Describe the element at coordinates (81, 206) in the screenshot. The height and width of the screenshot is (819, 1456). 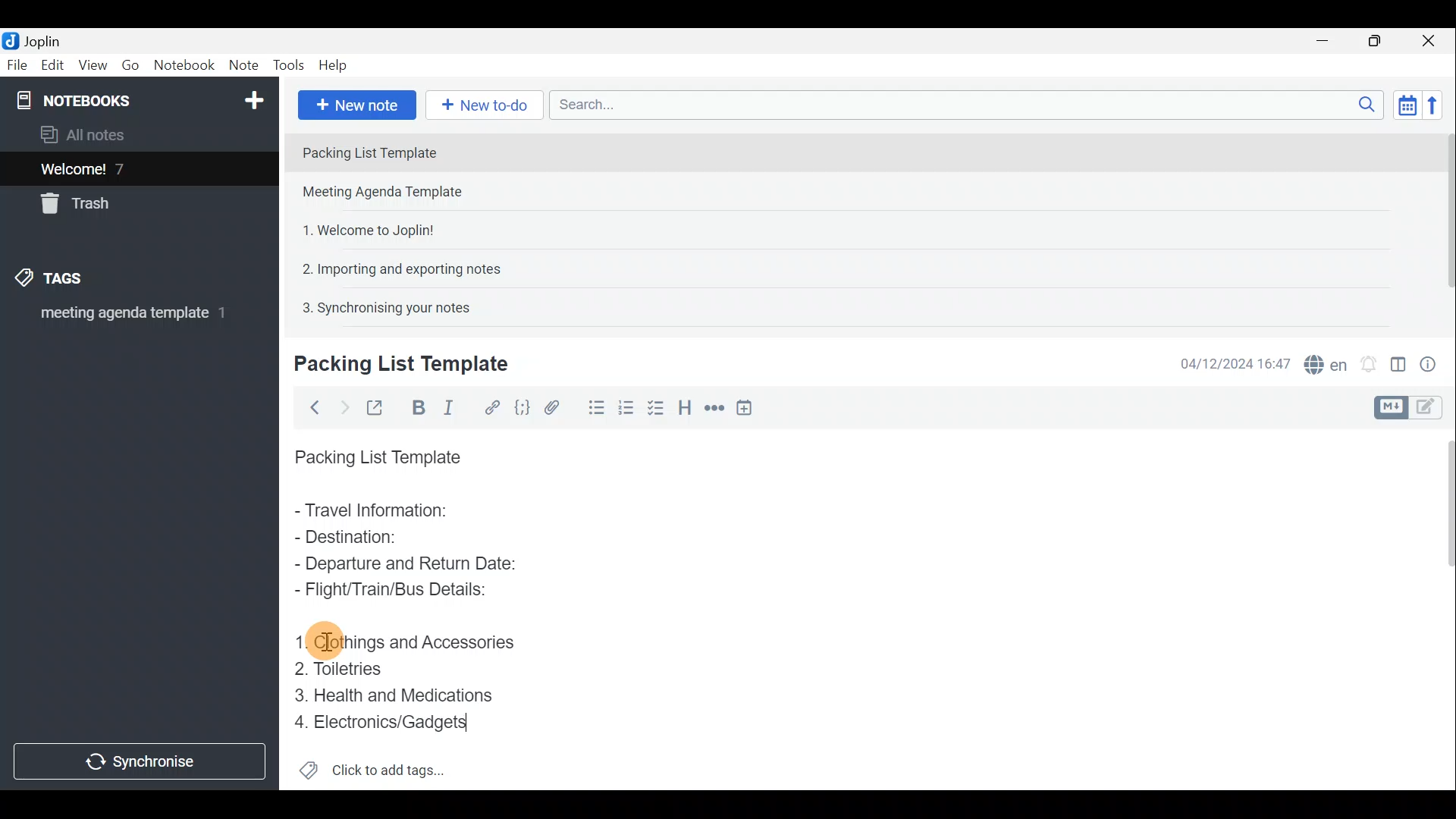
I see `Trash` at that location.